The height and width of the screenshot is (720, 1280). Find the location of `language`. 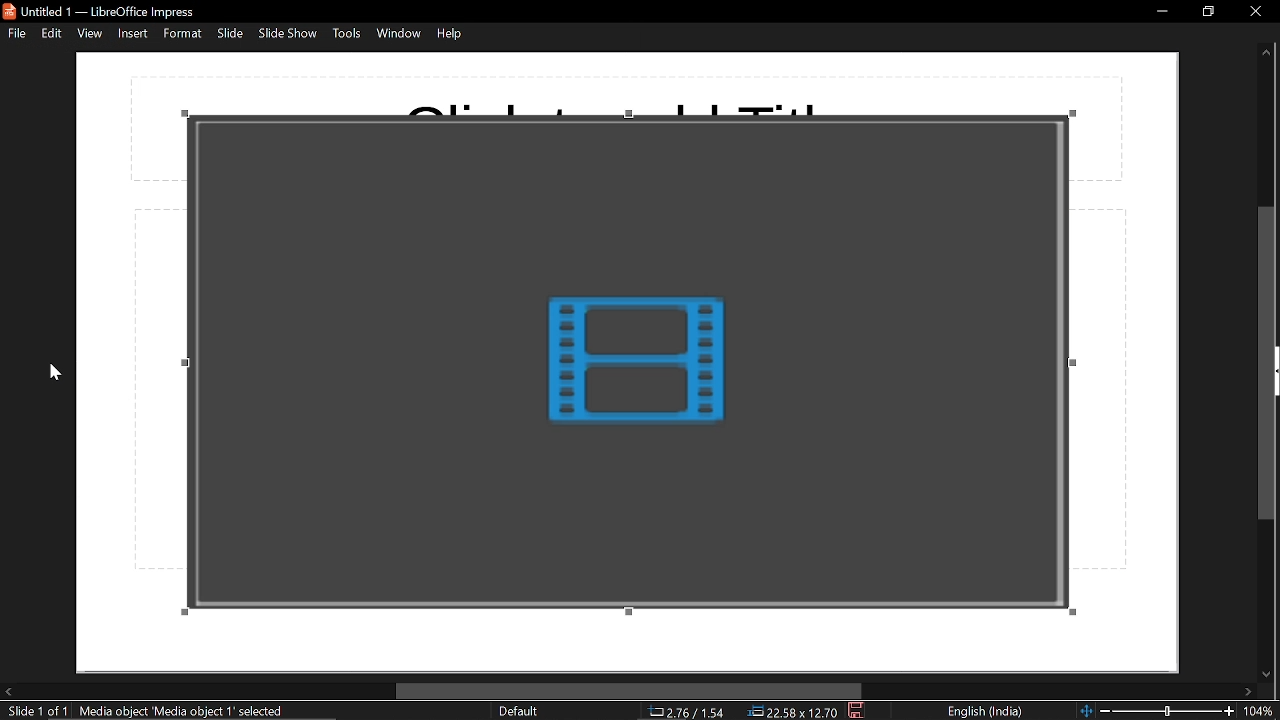

language is located at coordinates (986, 712).